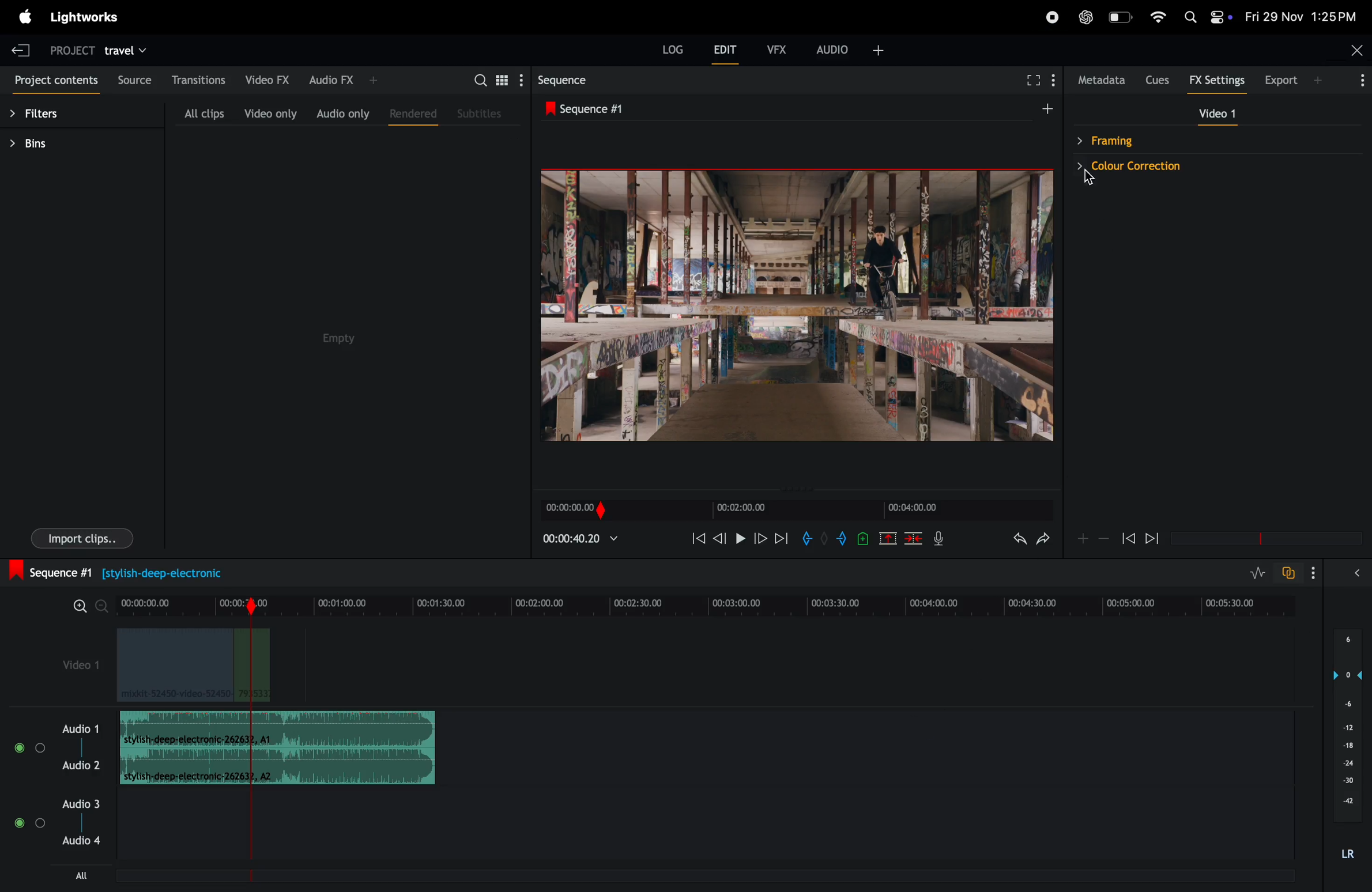 Image resolution: width=1372 pixels, height=892 pixels. I want to click on audio fx, so click(344, 80).